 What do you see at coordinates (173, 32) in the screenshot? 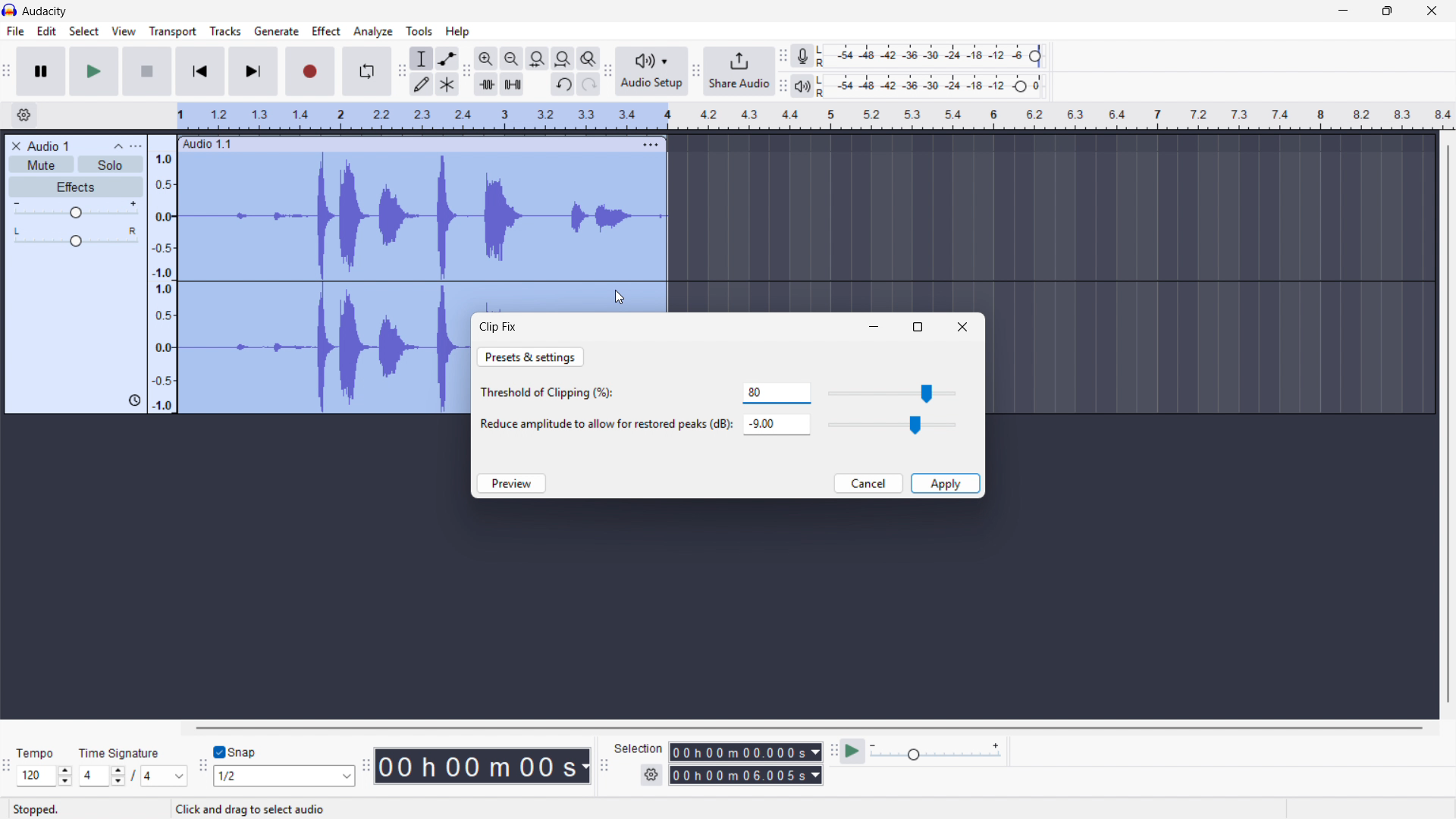
I see `Transport` at bounding box center [173, 32].